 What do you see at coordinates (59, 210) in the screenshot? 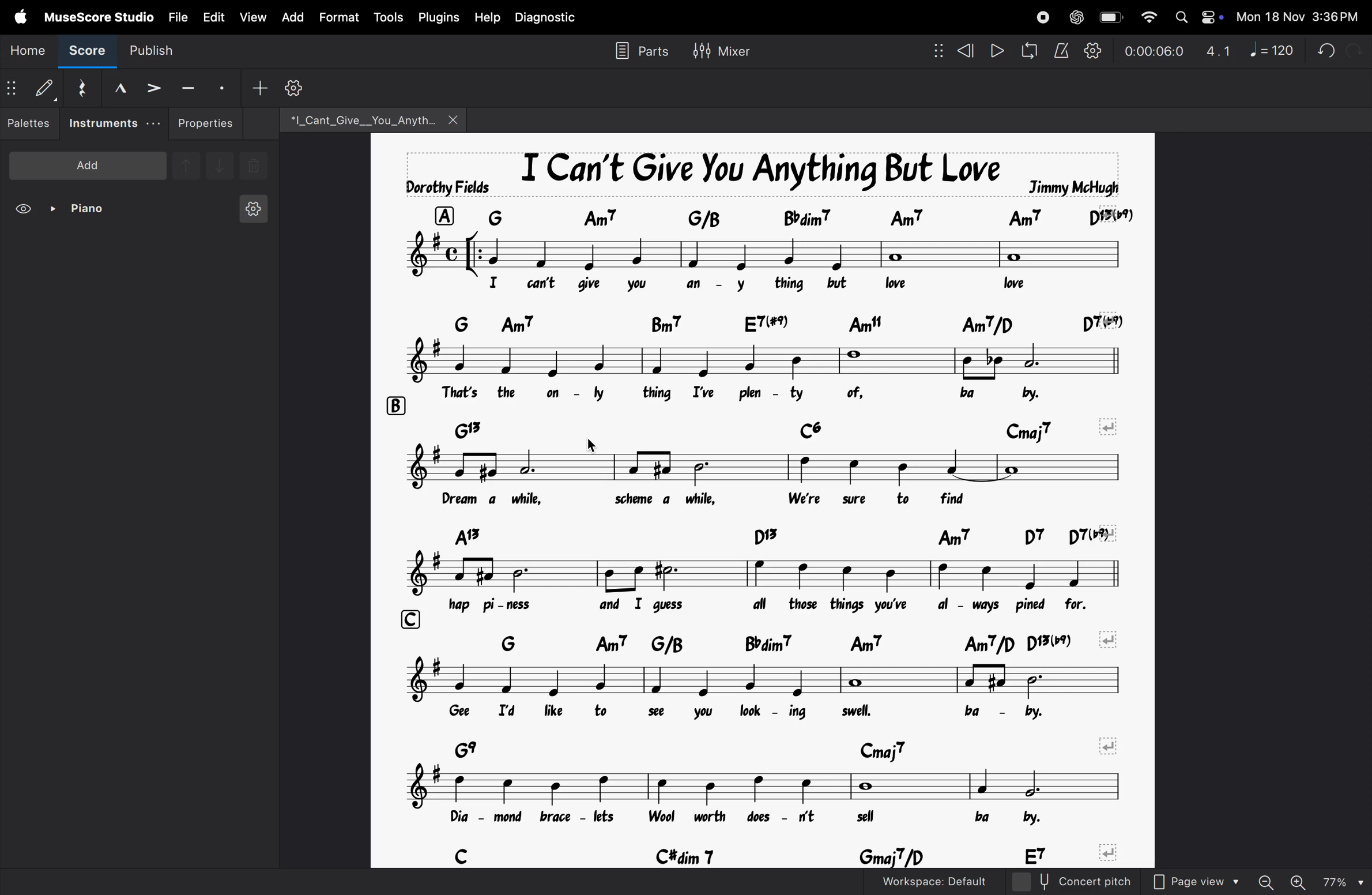
I see `piano` at bounding box center [59, 210].